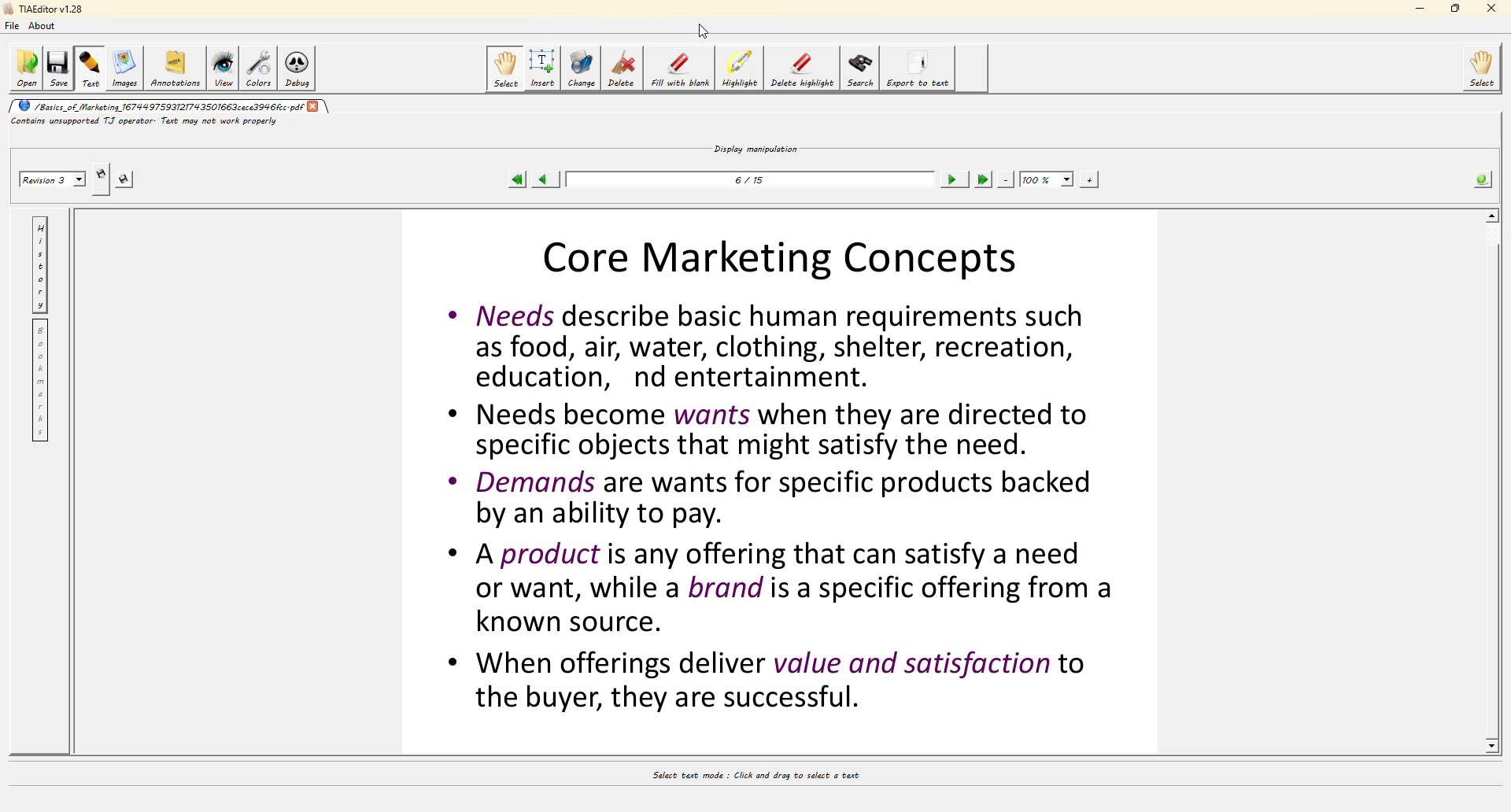 The height and width of the screenshot is (812, 1511). I want to click on fill with blank, so click(678, 71).